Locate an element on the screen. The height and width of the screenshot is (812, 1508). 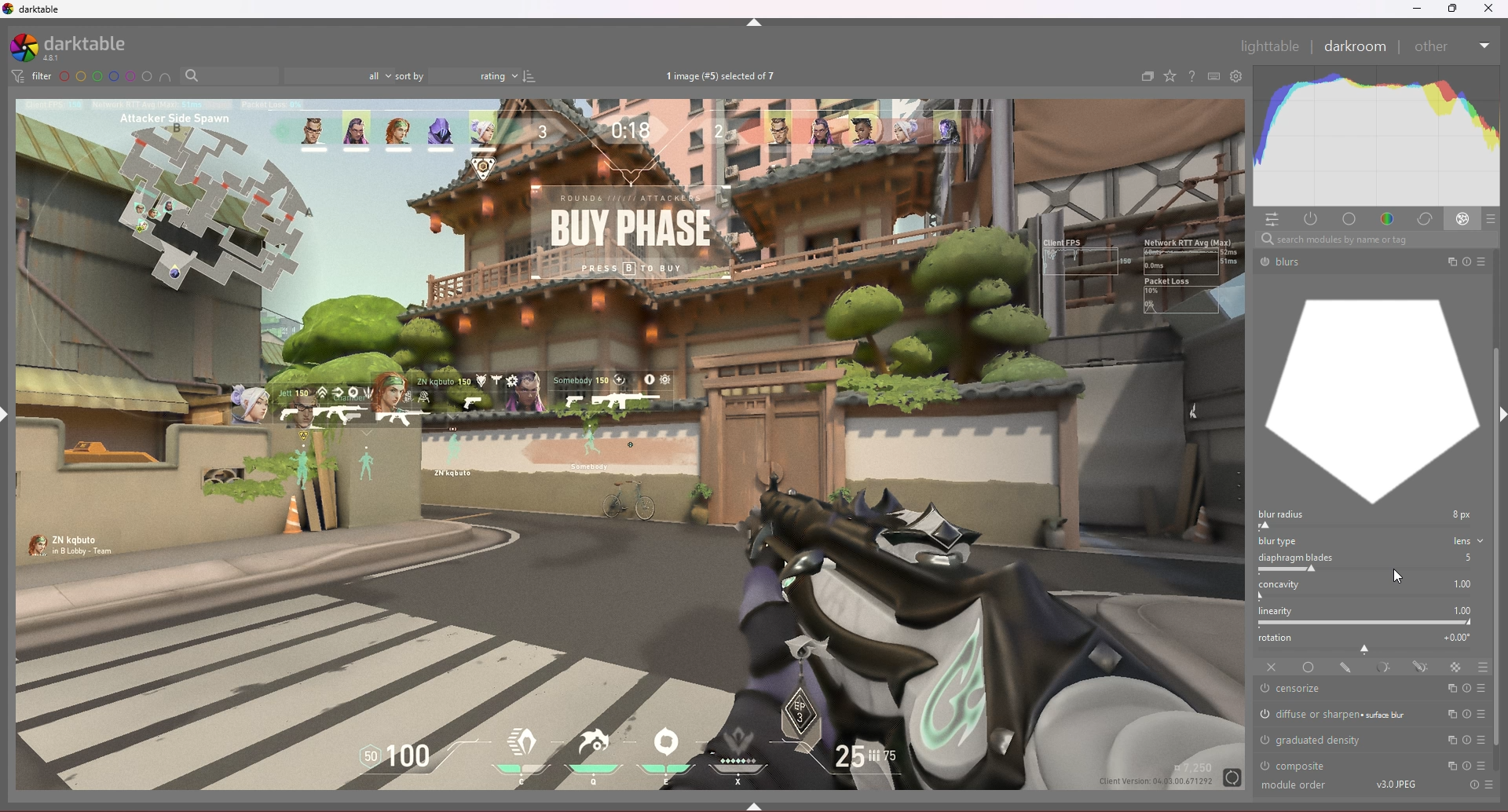
filter is located at coordinates (32, 75).